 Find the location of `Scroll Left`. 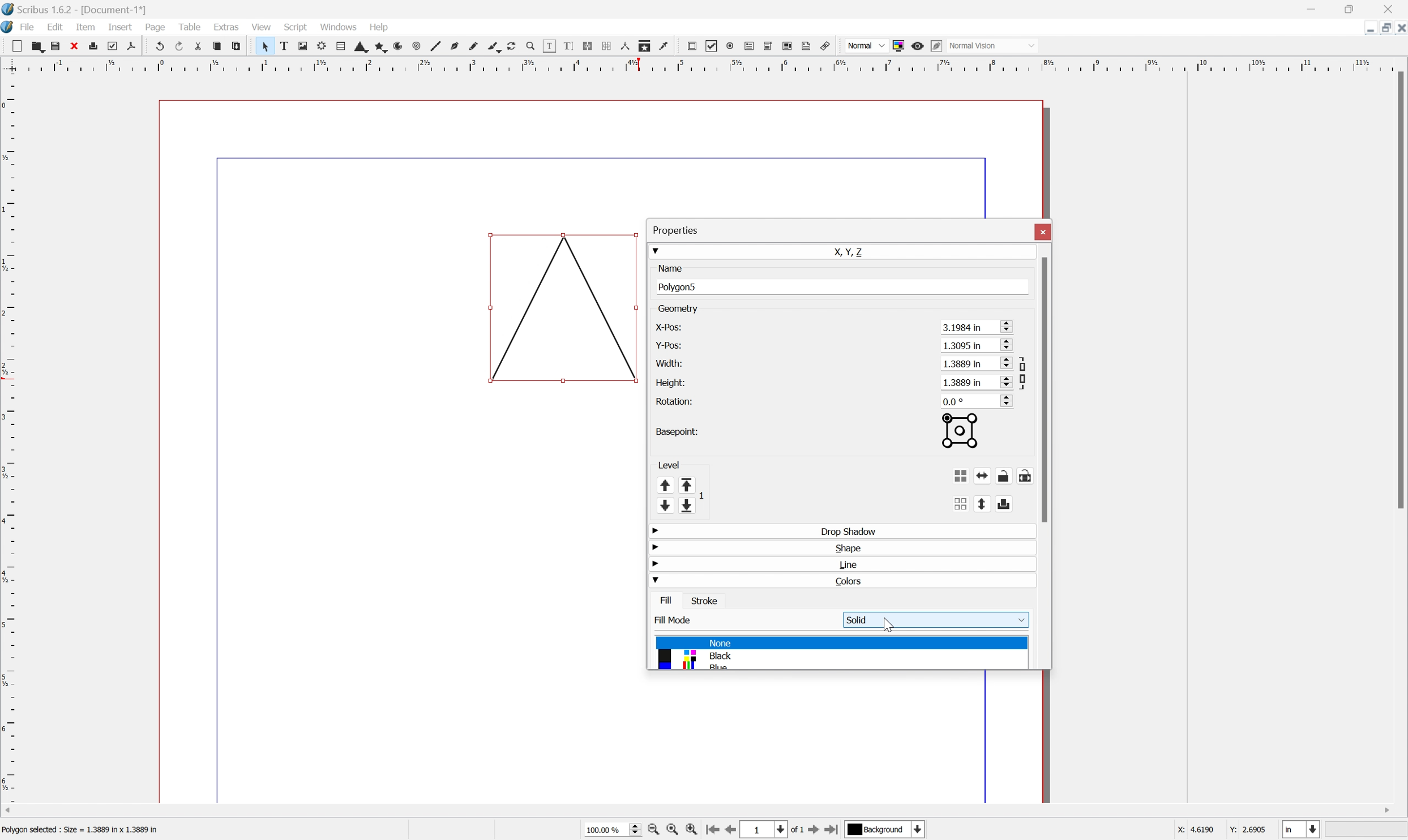

Scroll Left is located at coordinates (10, 810).